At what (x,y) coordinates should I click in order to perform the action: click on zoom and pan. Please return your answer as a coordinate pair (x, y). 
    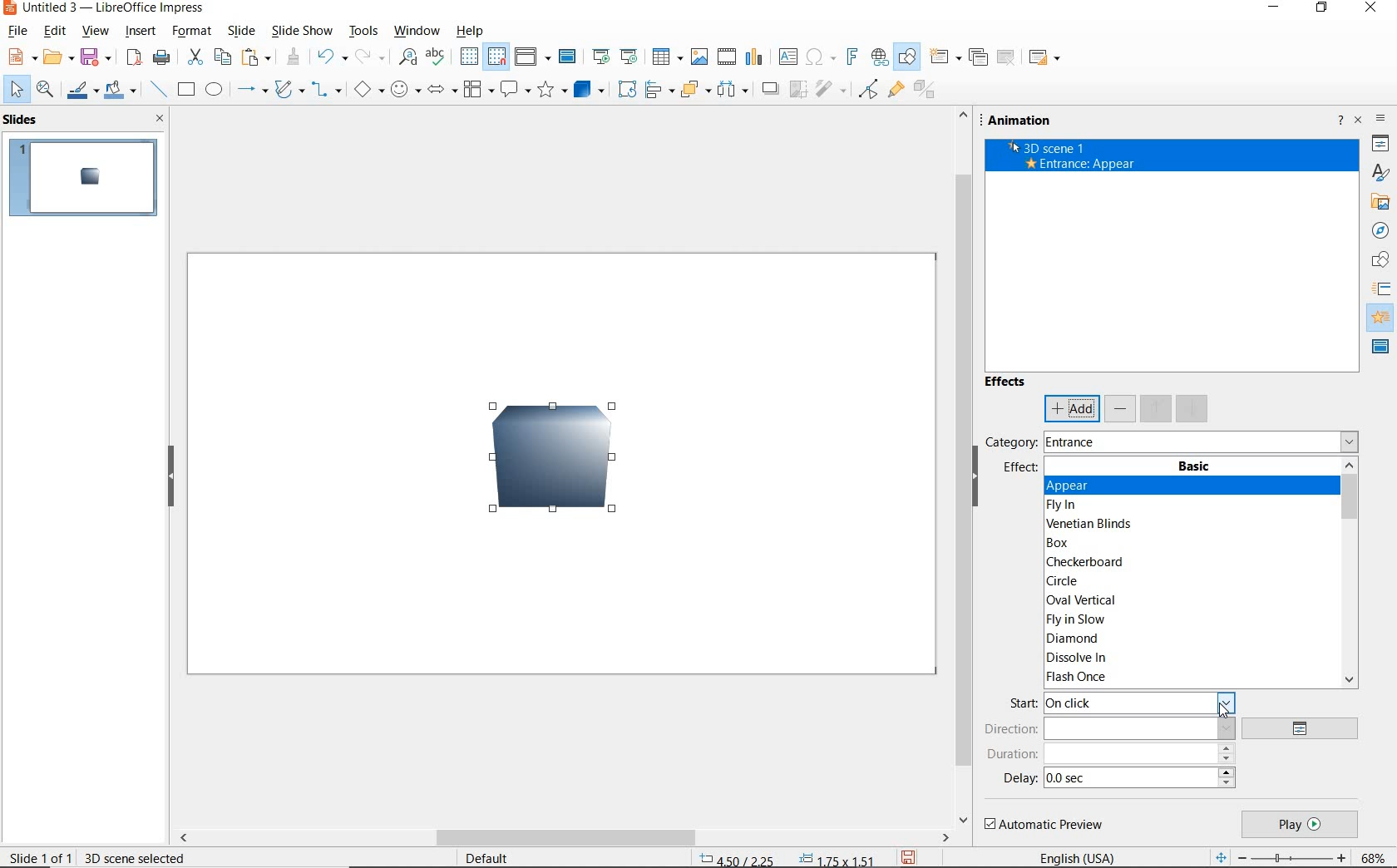
    Looking at the image, I should click on (45, 91).